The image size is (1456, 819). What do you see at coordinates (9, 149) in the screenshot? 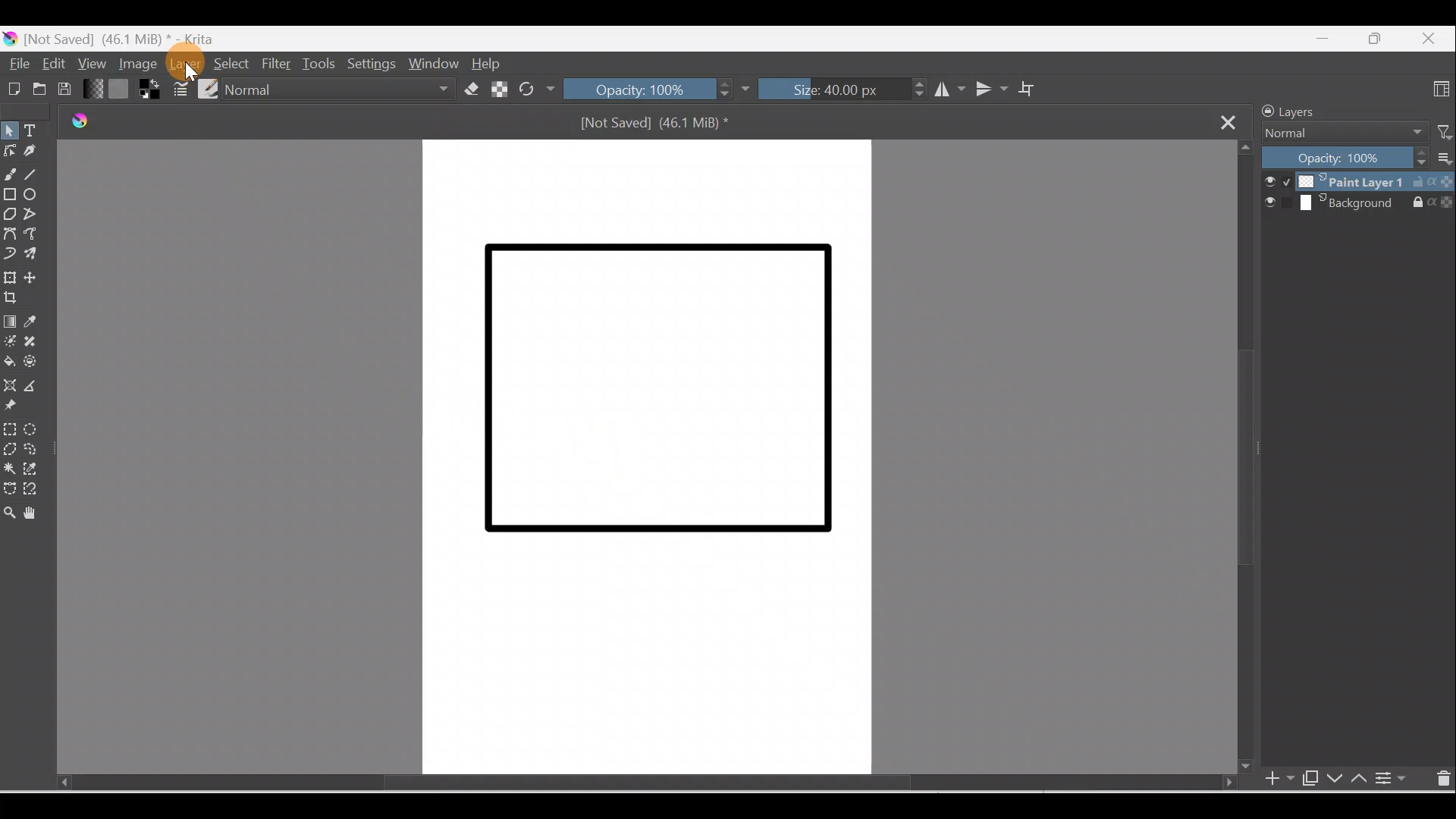
I see `Edit shapes tool` at bounding box center [9, 149].